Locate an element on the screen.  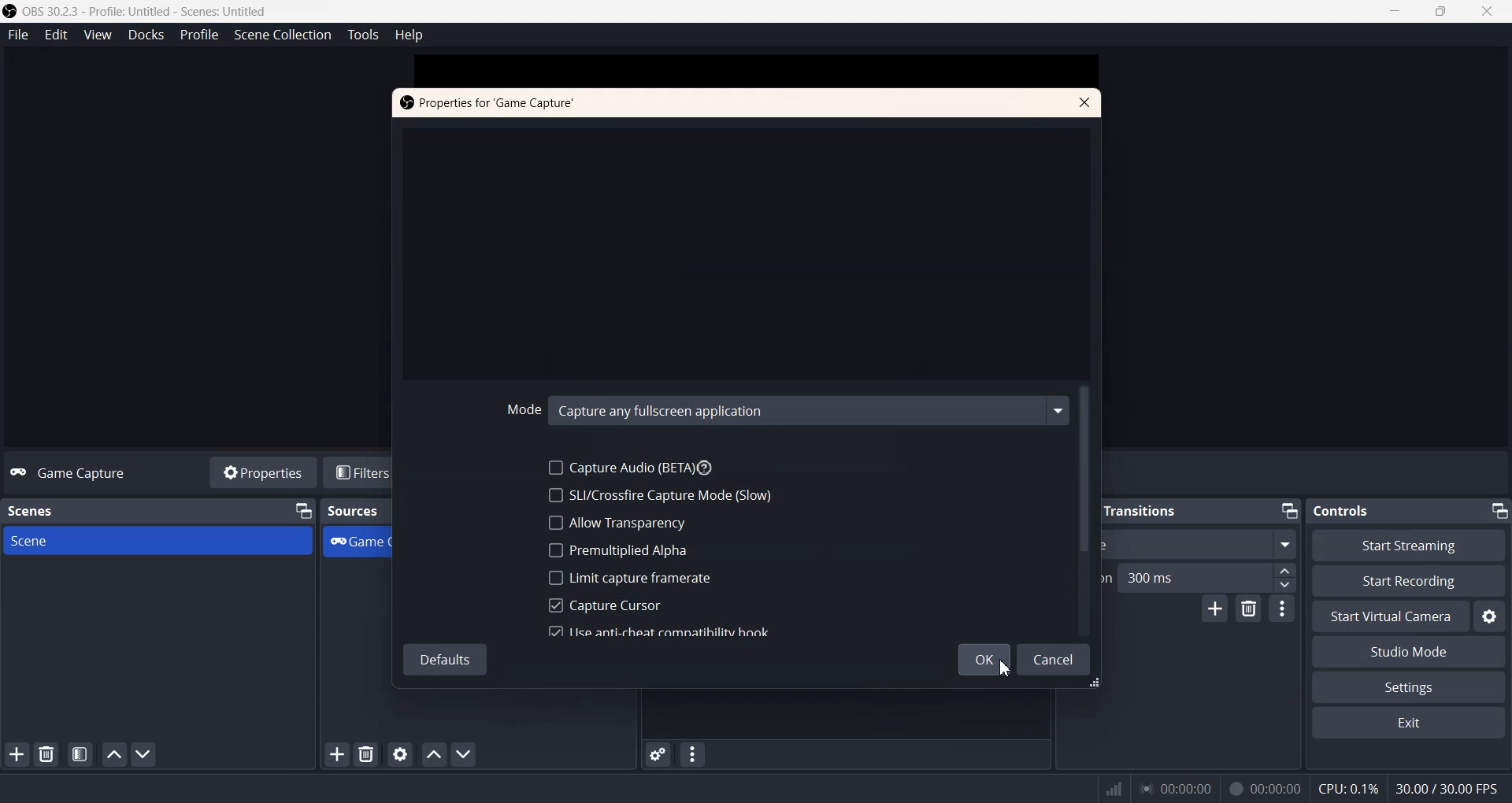
Minimize is located at coordinates (303, 511).